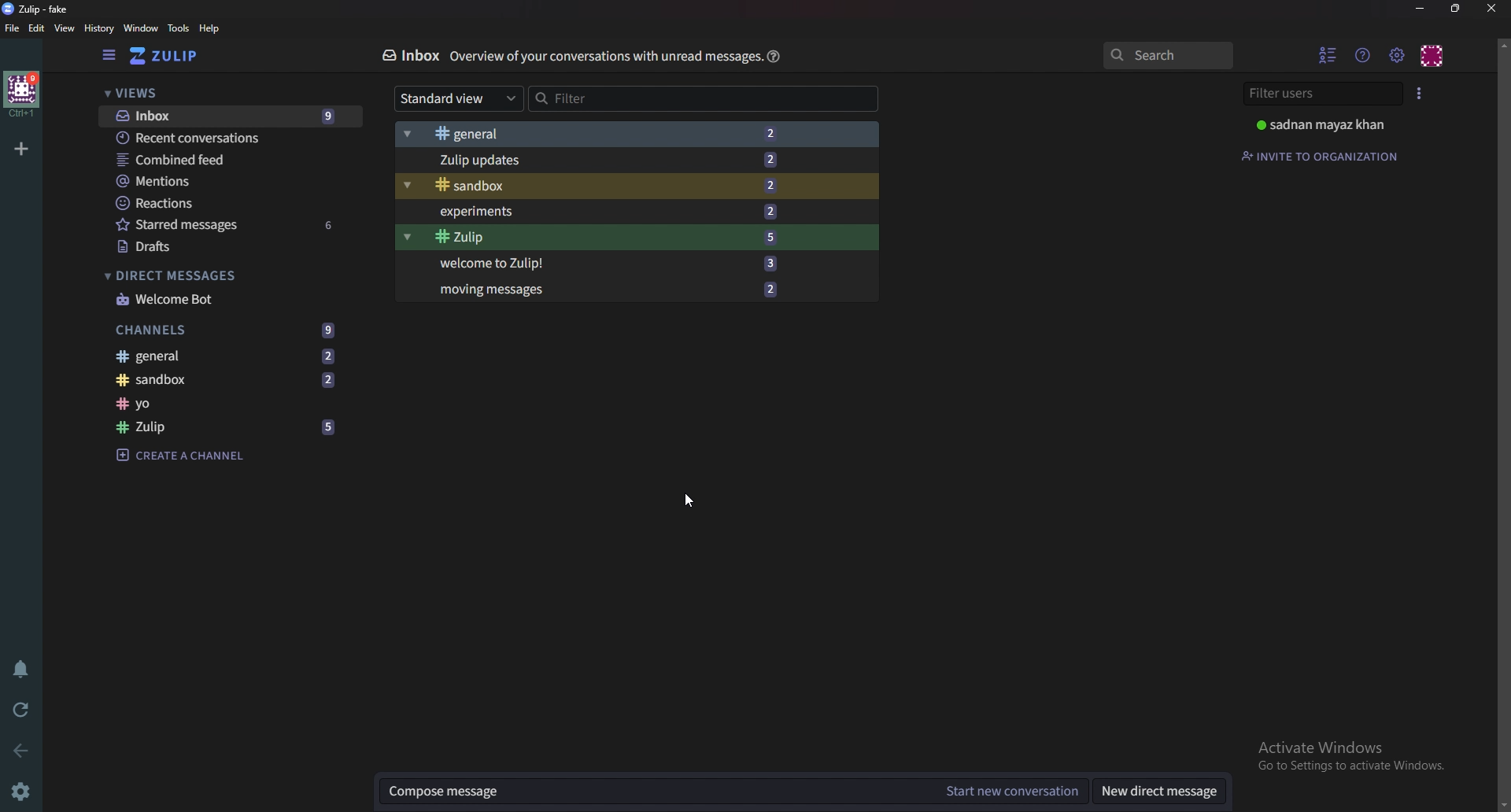 The image size is (1511, 812). Describe the element at coordinates (211, 204) in the screenshot. I see `Reactions` at that location.